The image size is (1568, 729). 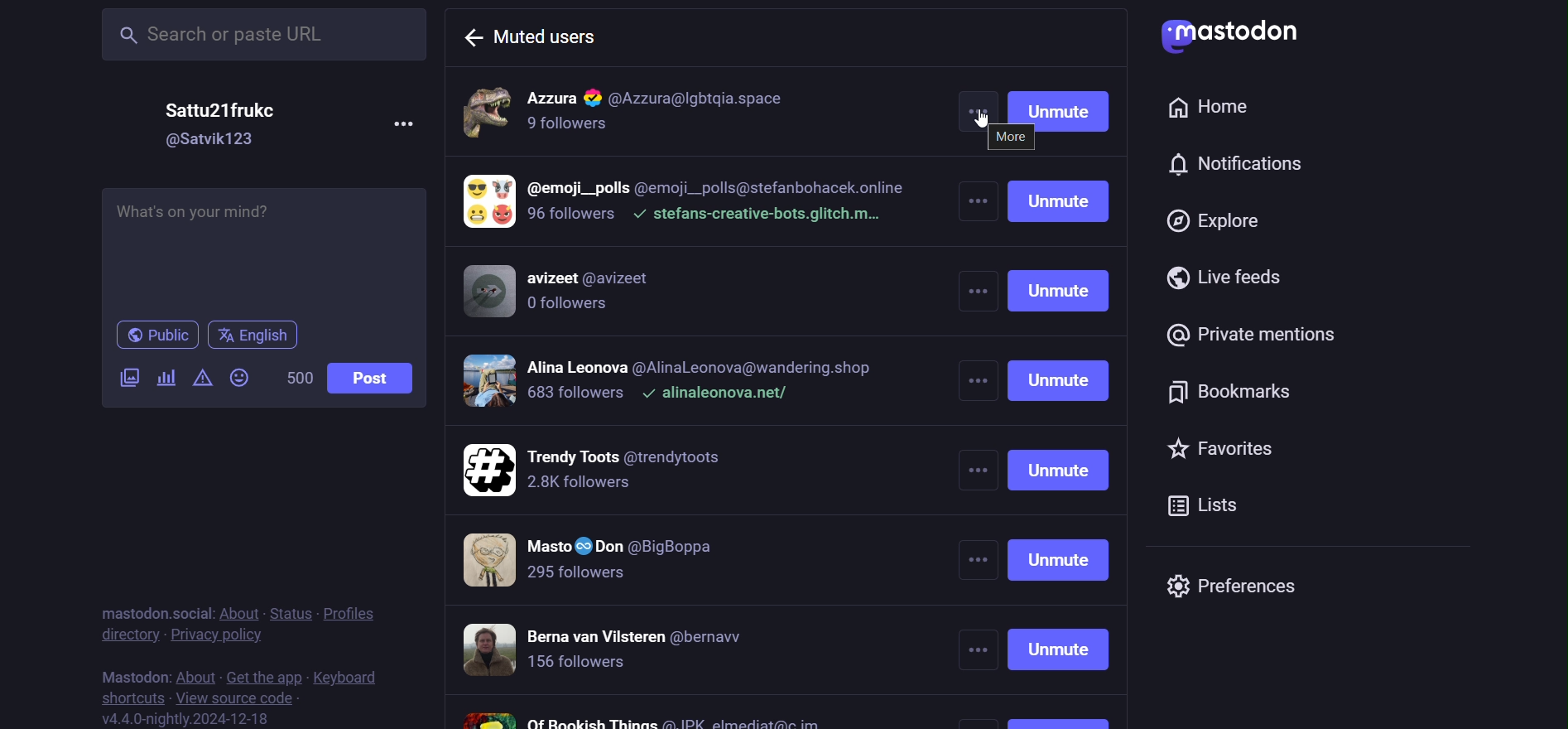 I want to click on more, so click(x=1012, y=137).